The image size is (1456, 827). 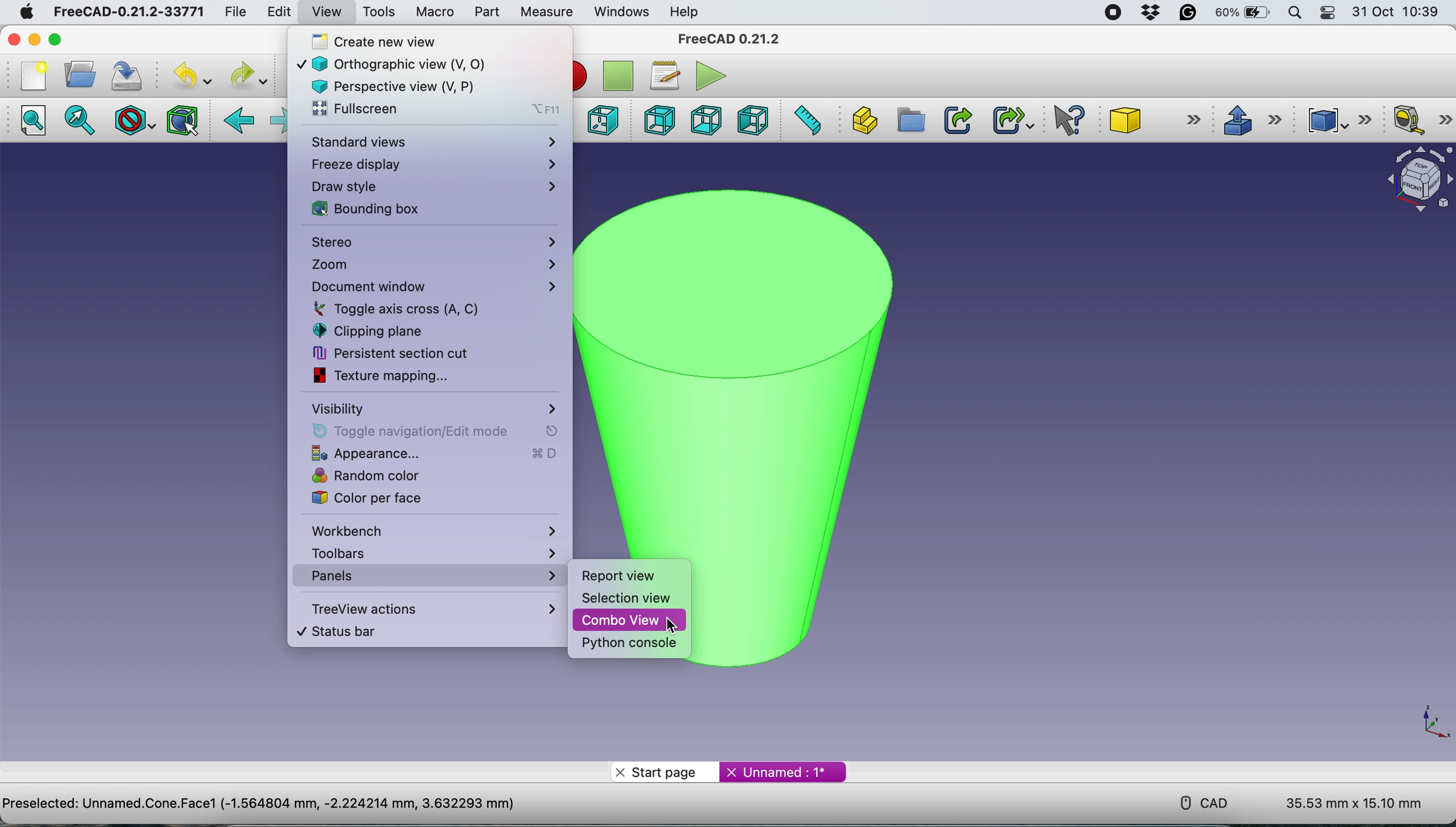 What do you see at coordinates (277, 14) in the screenshot?
I see `edit` at bounding box center [277, 14].